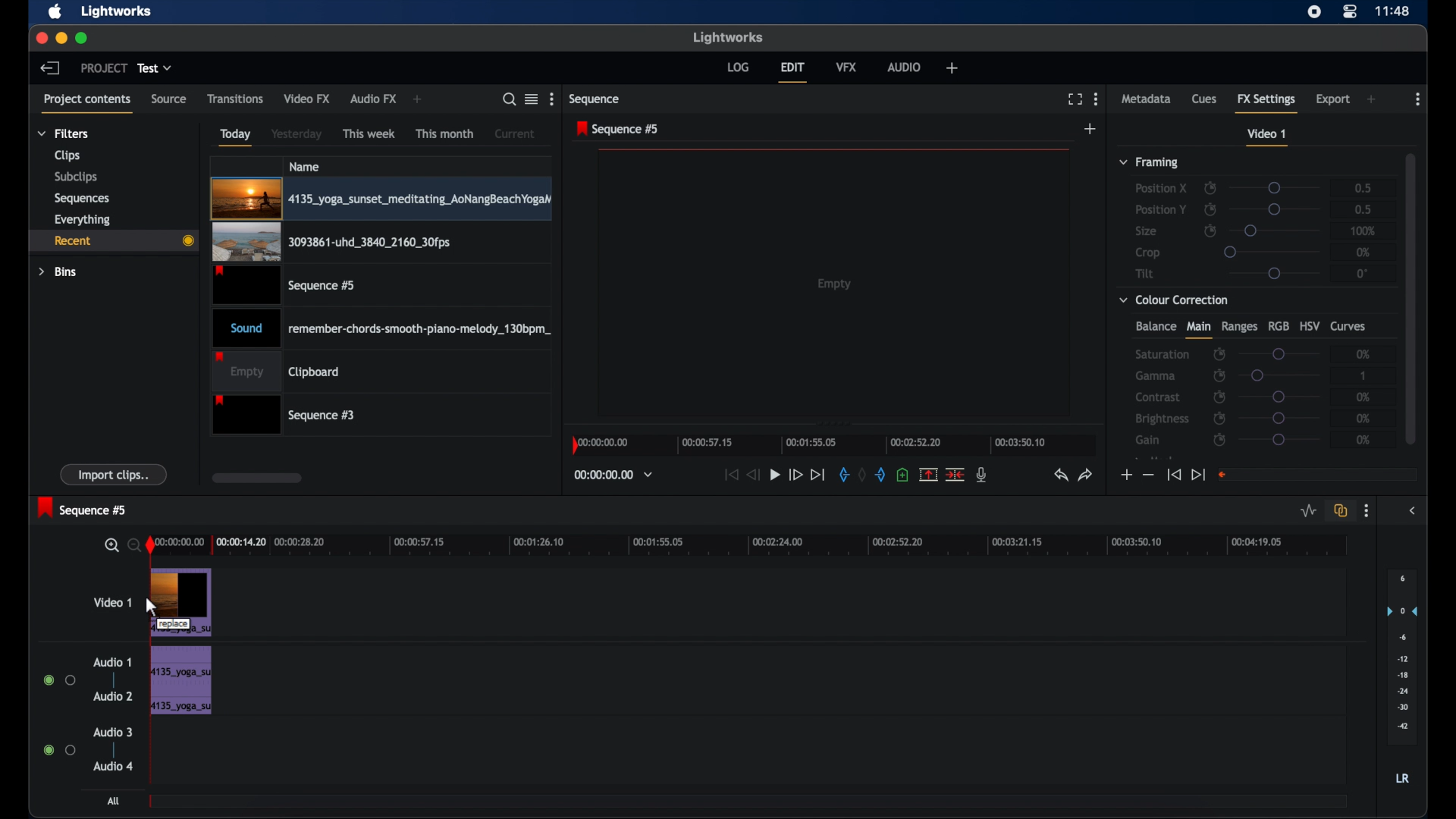 The image size is (1456, 819). I want to click on sequence 5, so click(618, 130).